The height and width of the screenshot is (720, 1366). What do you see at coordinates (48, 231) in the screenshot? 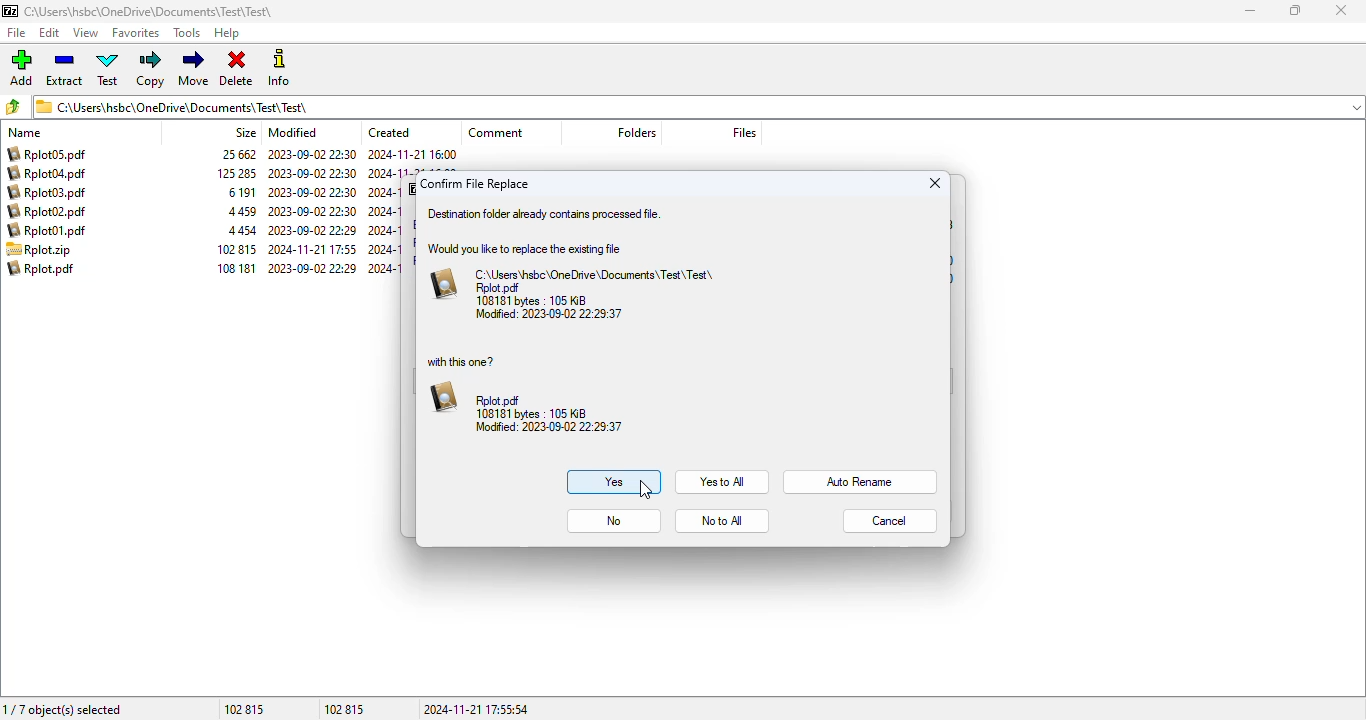
I see `Rplot01.pdf` at bounding box center [48, 231].